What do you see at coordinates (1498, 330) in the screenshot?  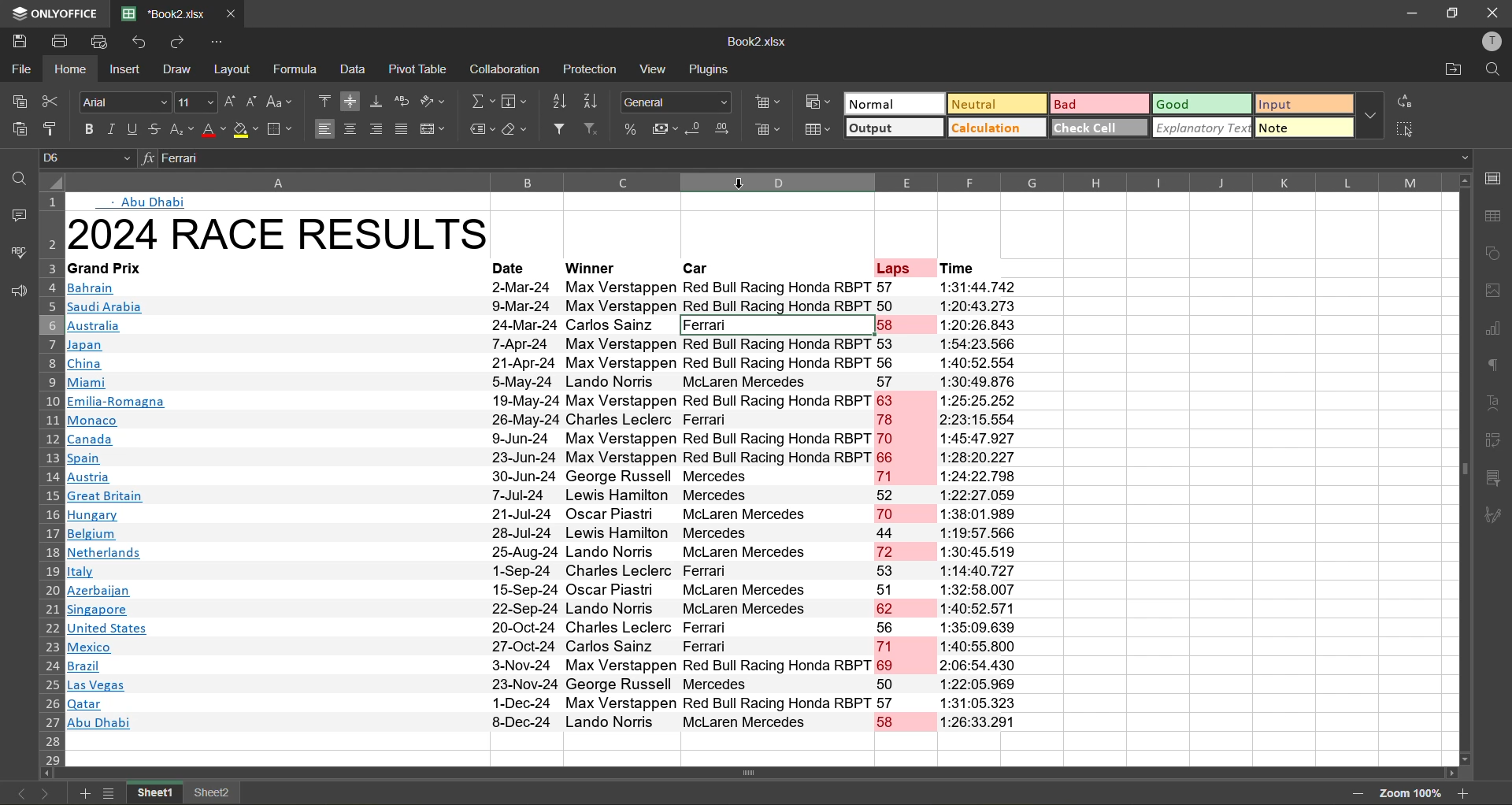 I see `charts` at bounding box center [1498, 330].